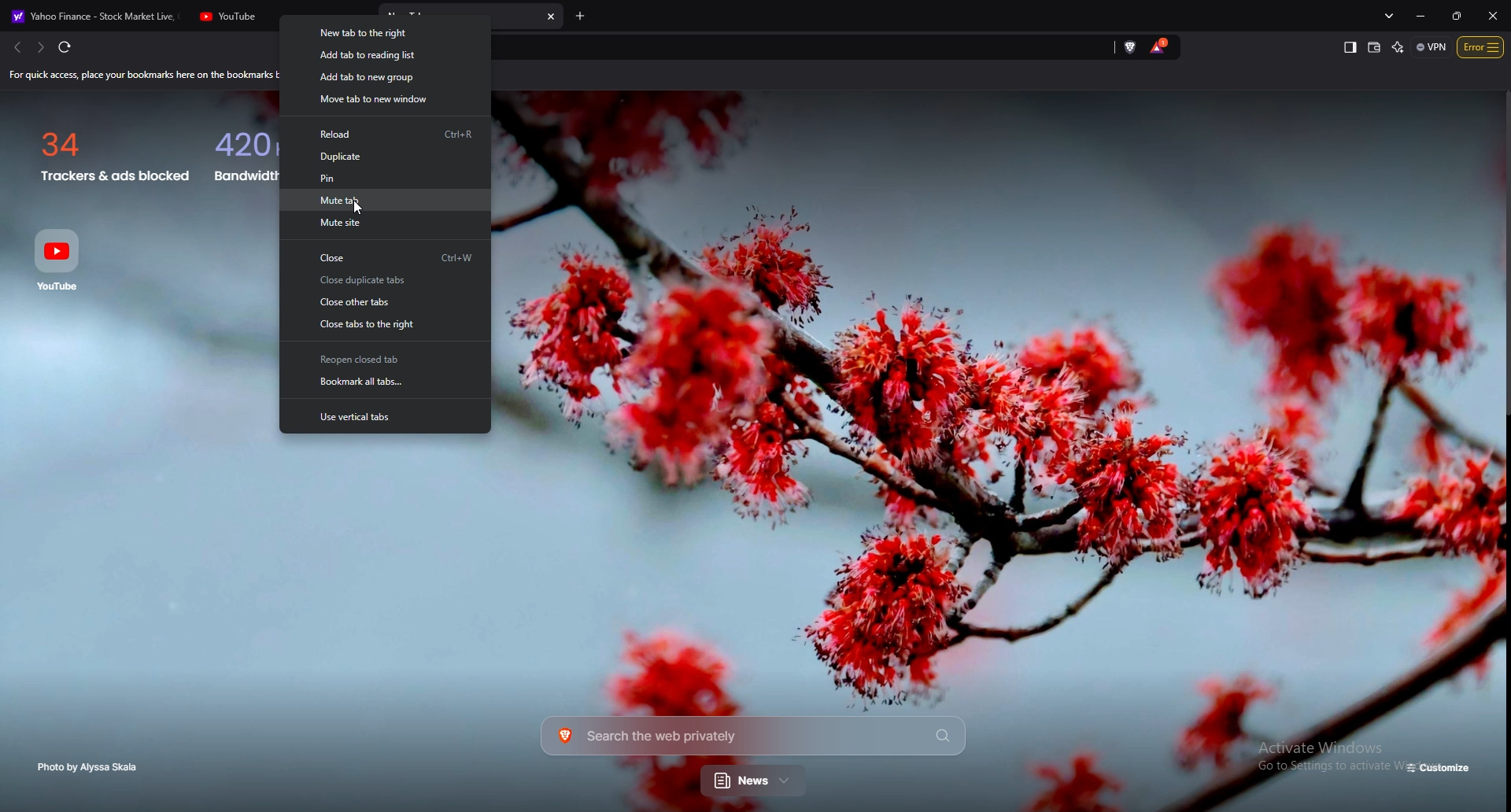 The width and height of the screenshot is (1511, 812). I want to click on show sidebar, so click(1350, 48).